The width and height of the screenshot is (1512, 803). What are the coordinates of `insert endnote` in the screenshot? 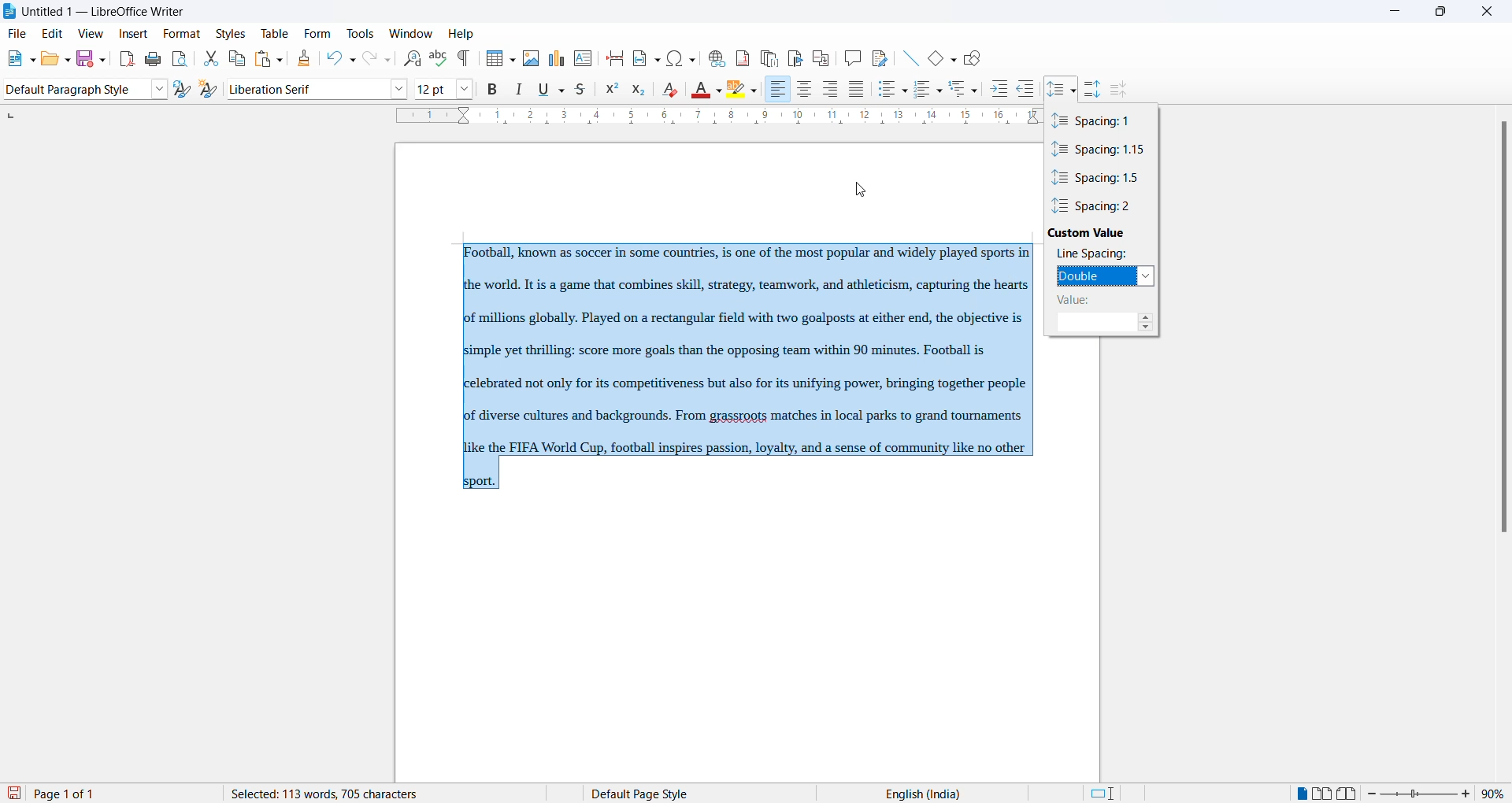 It's located at (769, 56).